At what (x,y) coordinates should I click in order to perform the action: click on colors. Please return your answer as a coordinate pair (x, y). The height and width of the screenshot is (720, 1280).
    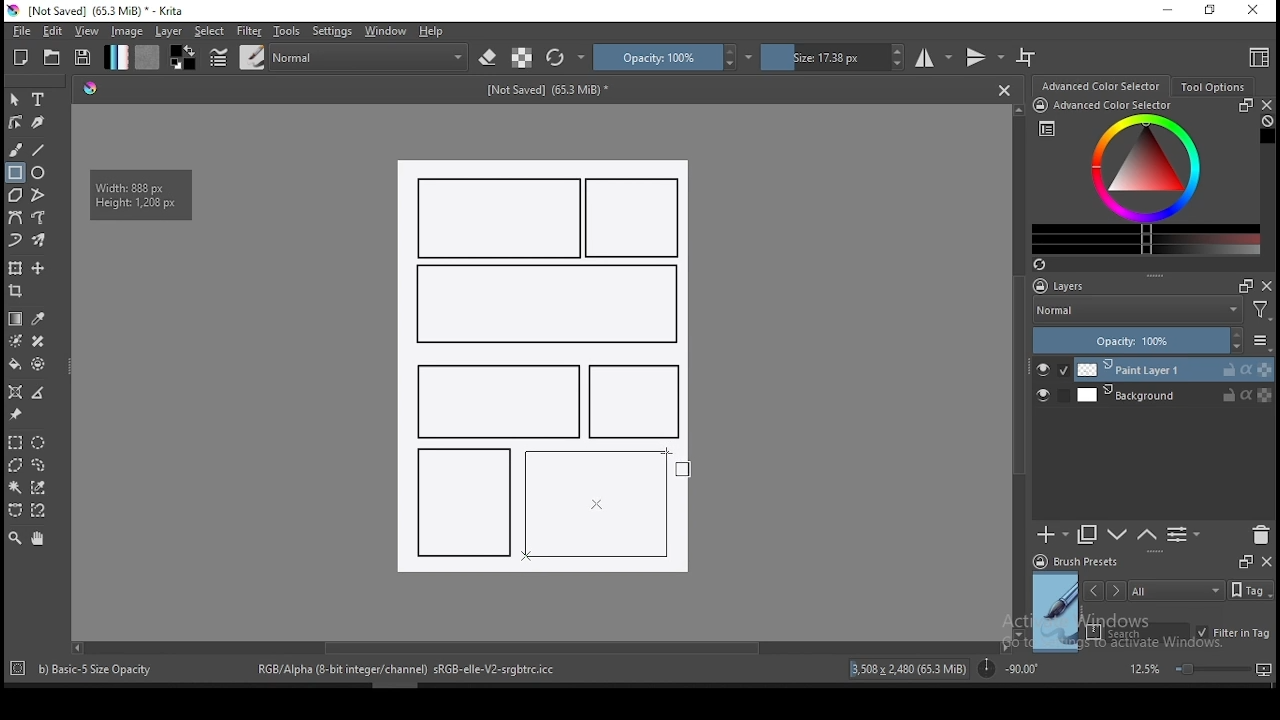
    Looking at the image, I should click on (183, 57).